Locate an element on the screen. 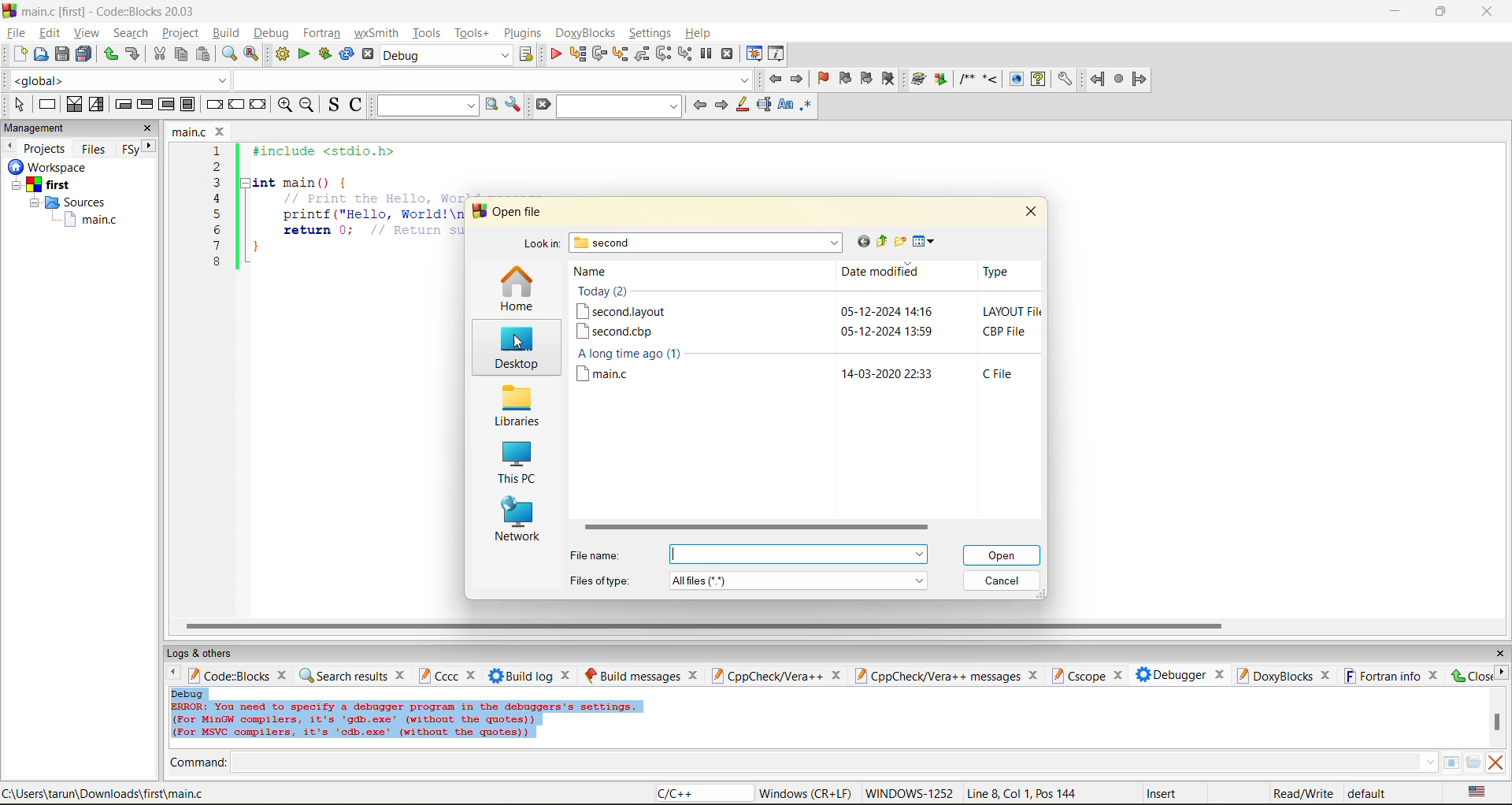 Image resolution: width=1512 pixels, height=805 pixels. Error info is located at coordinates (406, 721).